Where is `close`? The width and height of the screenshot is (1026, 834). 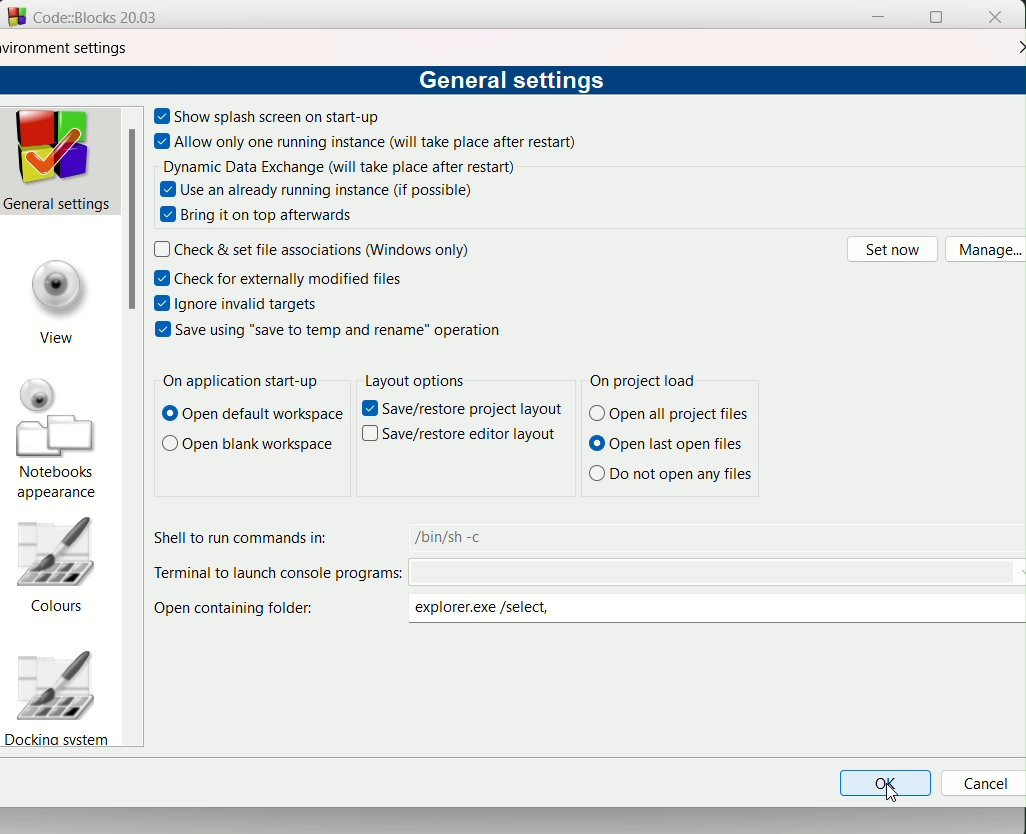
close is located at coordinates (996, 17).